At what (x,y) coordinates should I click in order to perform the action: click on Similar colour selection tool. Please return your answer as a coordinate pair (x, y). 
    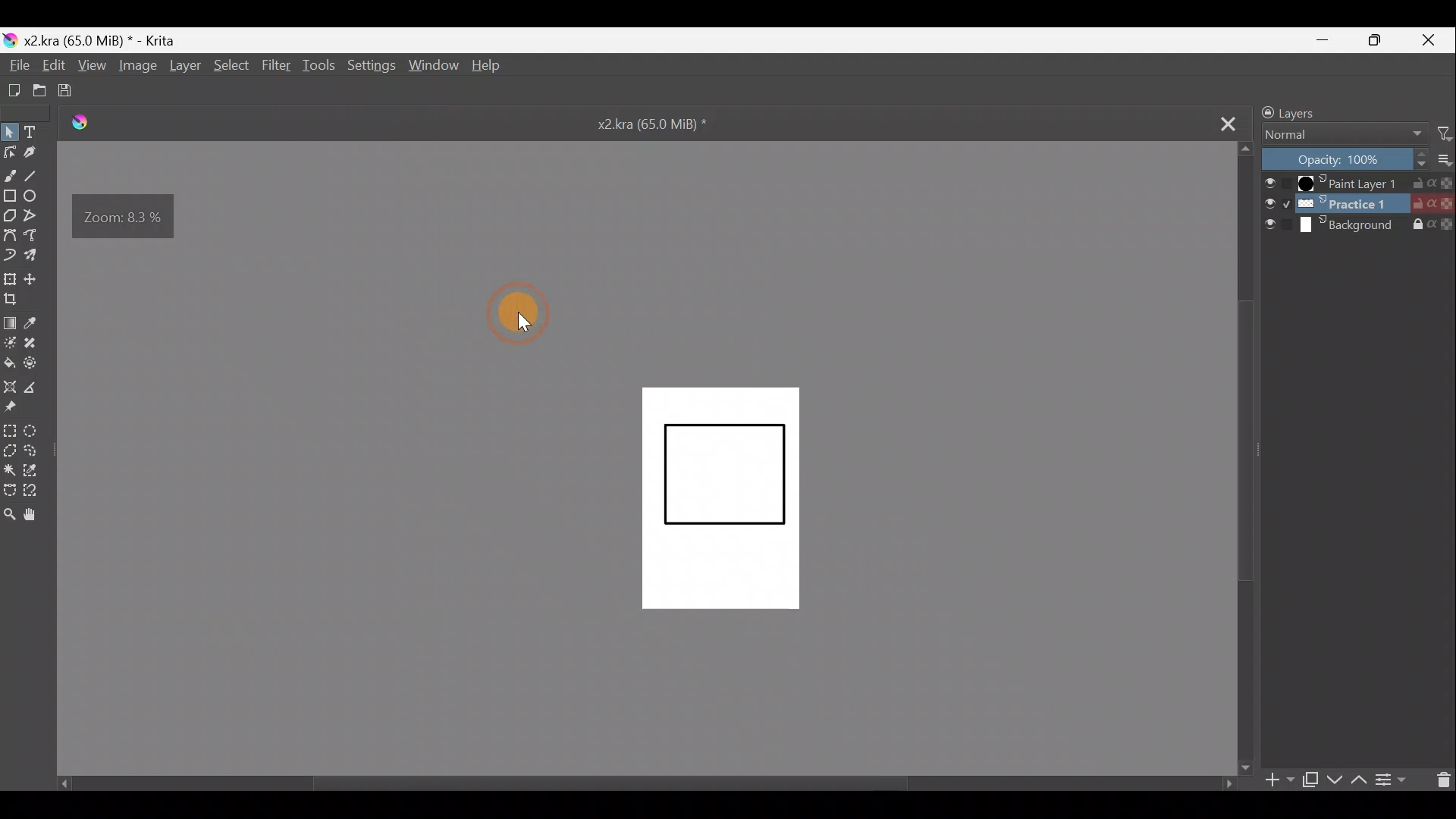
    Looking at the image, I should click on (40, 472).